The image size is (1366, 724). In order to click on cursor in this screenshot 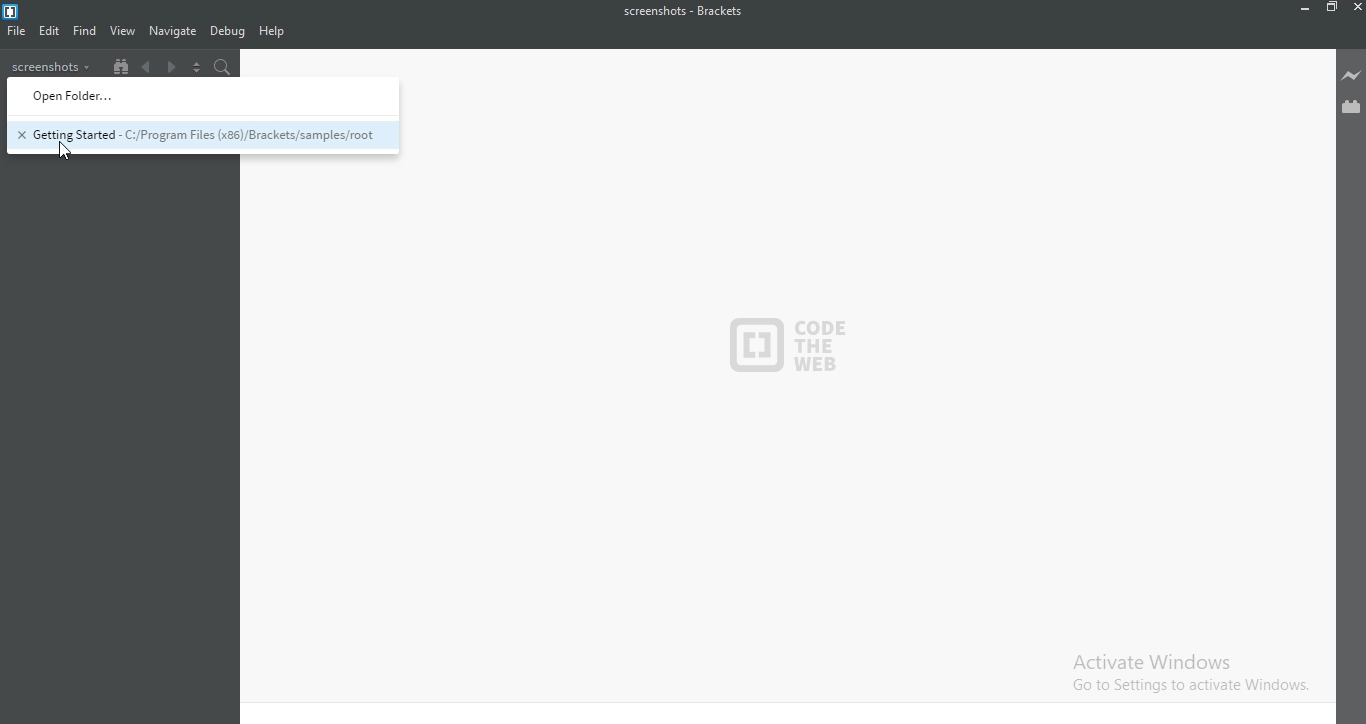, I will do `click(65, 150)`.